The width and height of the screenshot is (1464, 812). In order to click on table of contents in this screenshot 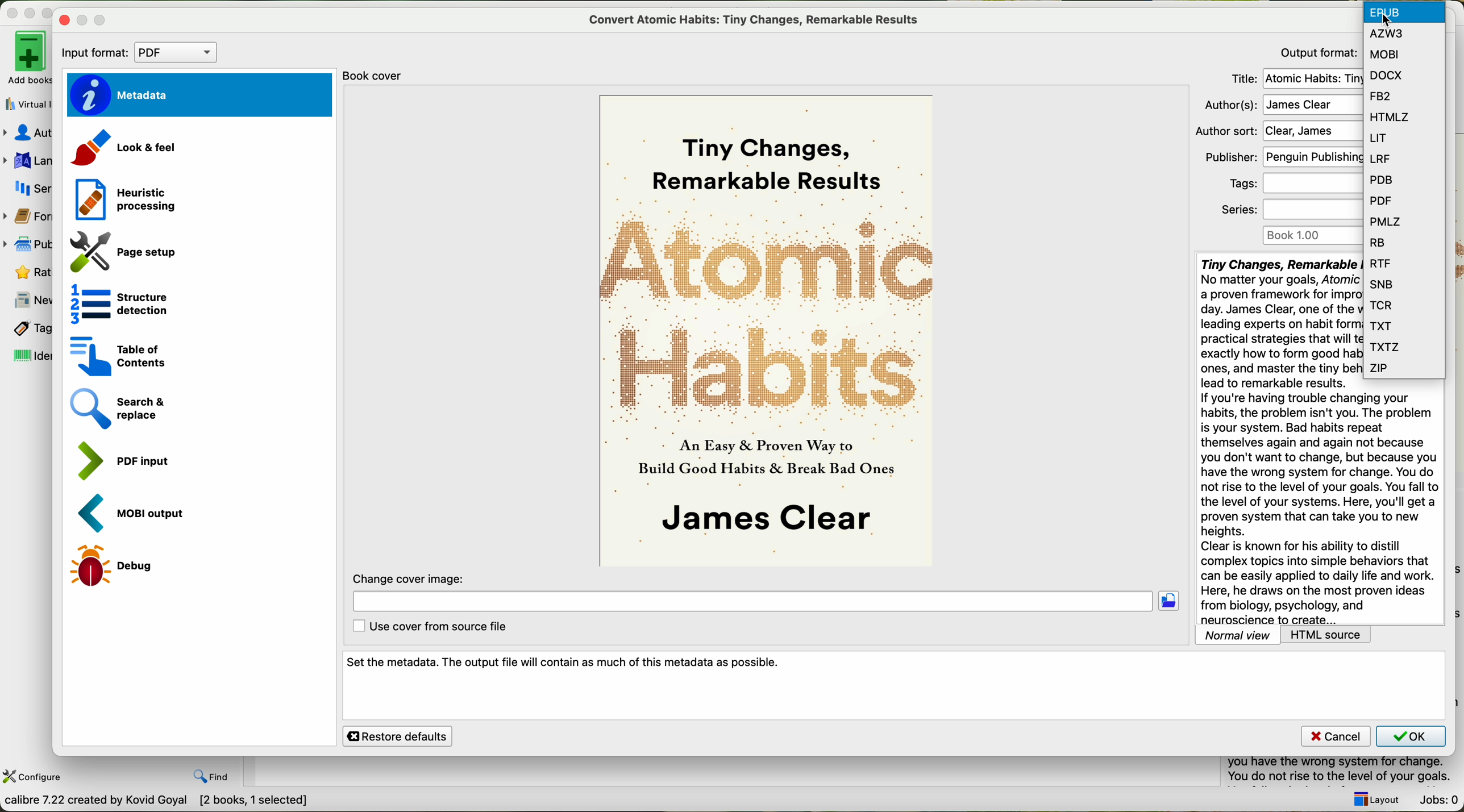, I will do `click(114, 354)`.